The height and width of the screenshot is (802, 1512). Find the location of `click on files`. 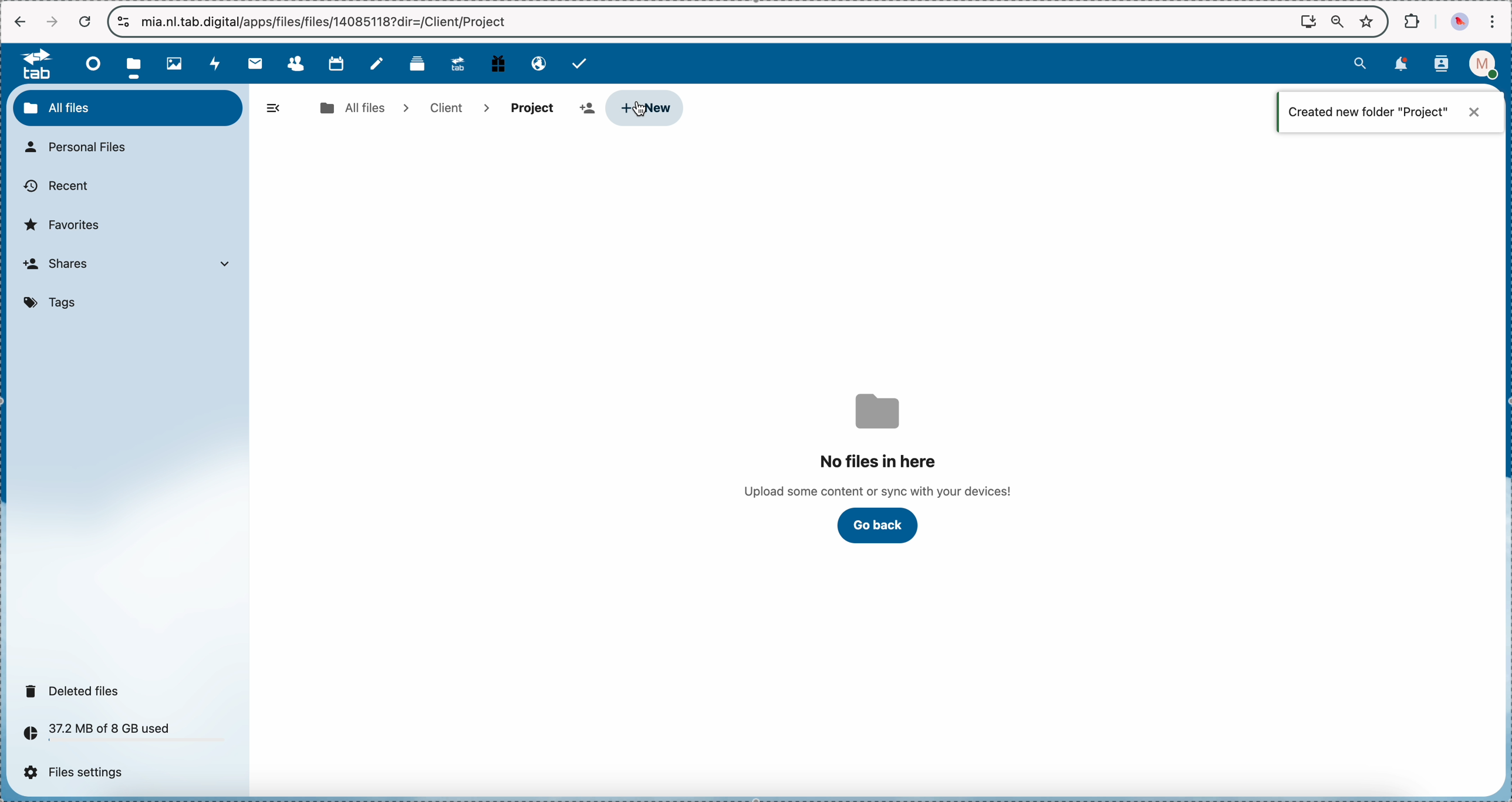

click on files is located at coordinates (137, 63).